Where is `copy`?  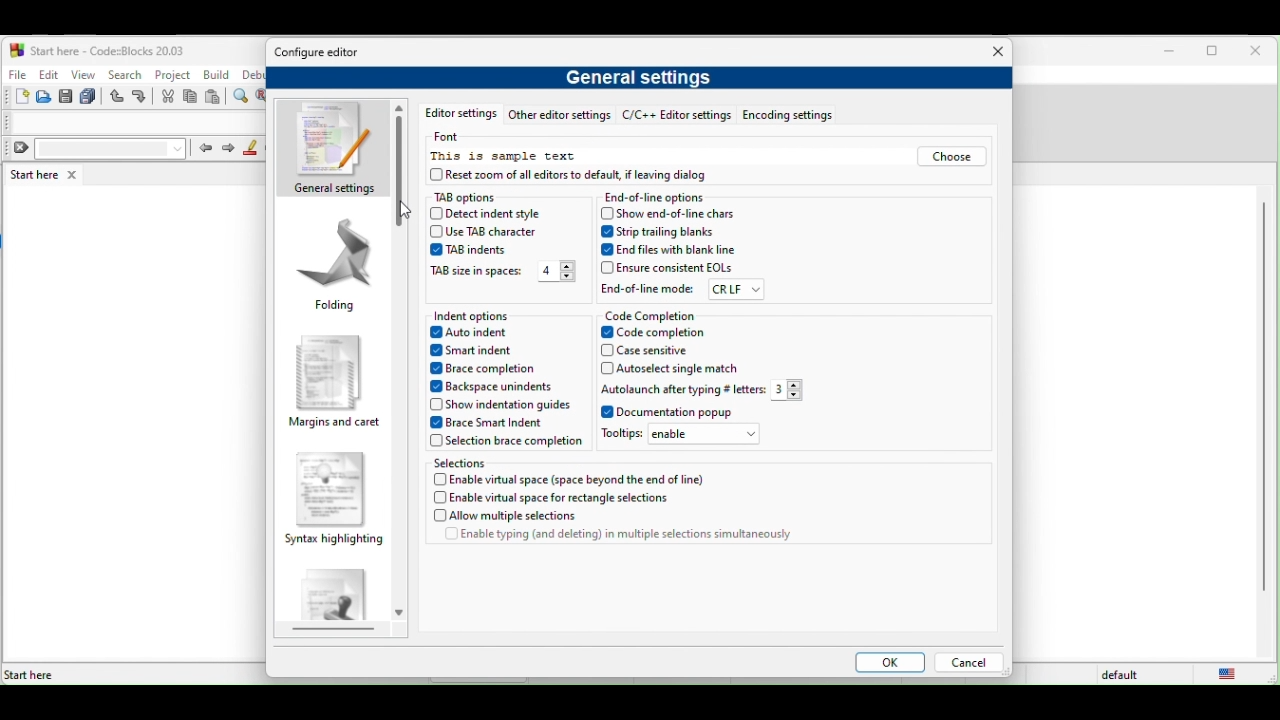 copy is located at coordinates (191, 98).